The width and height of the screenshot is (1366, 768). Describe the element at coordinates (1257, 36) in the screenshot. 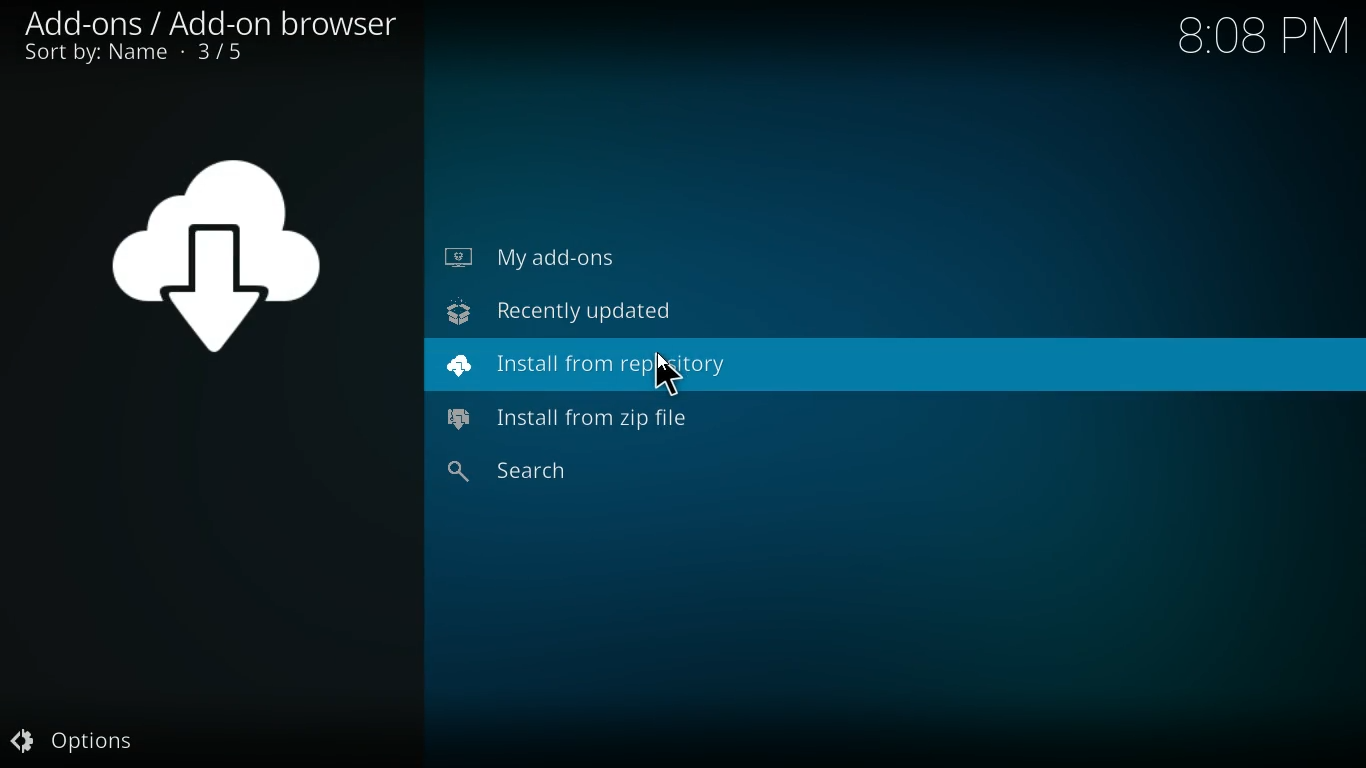

I see `Time - 8:08PM` at that location.